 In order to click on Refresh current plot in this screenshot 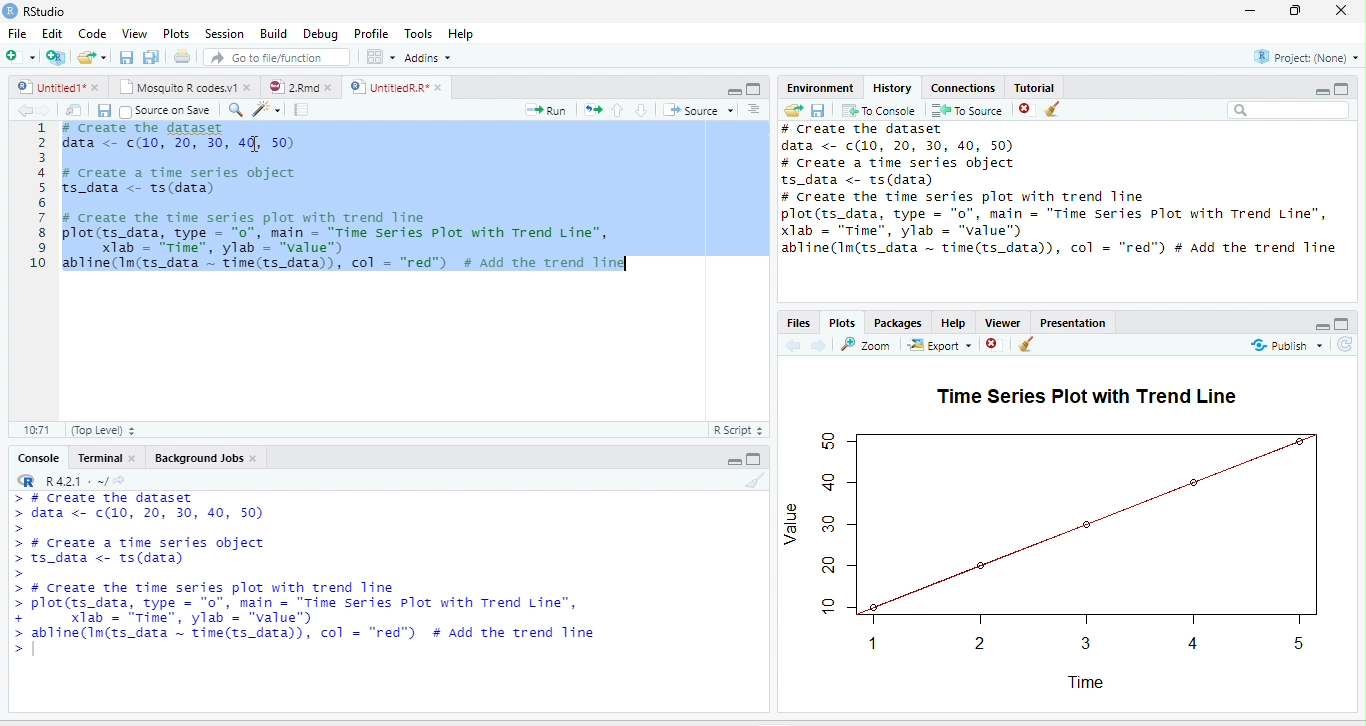, I will do `click(1346, 345)`.